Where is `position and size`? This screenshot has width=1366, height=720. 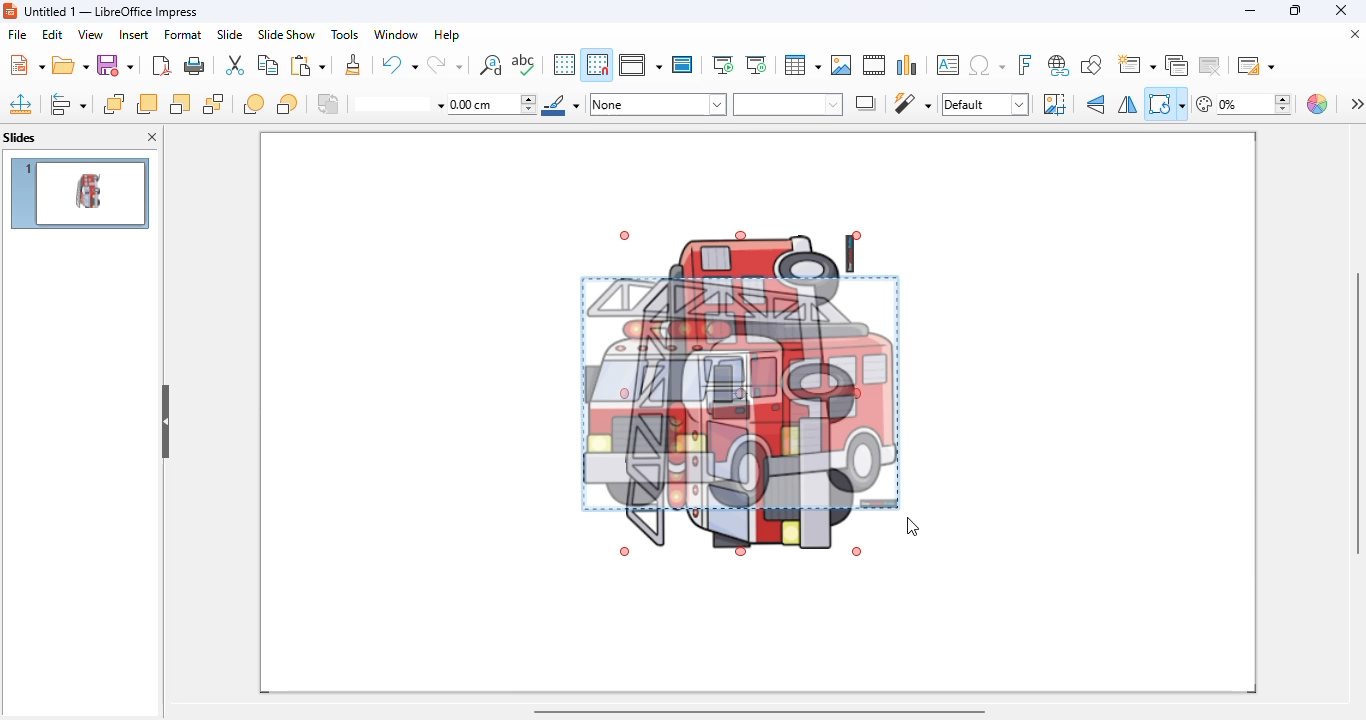 position and size is located at coordinates (21, 104).